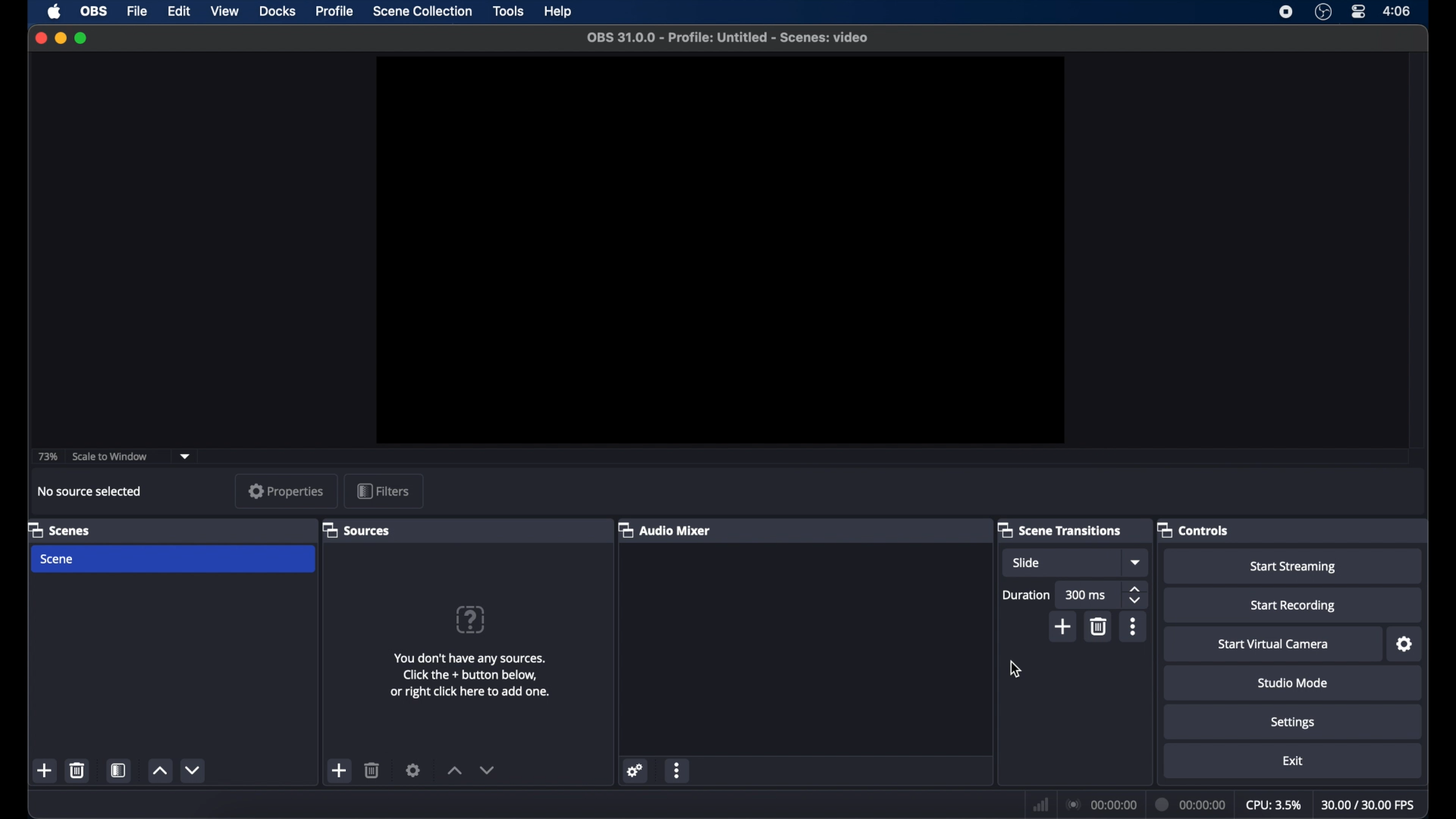 The height and width of the screenshot is (819, 1456). I want to click on preview, so click(720, 250).